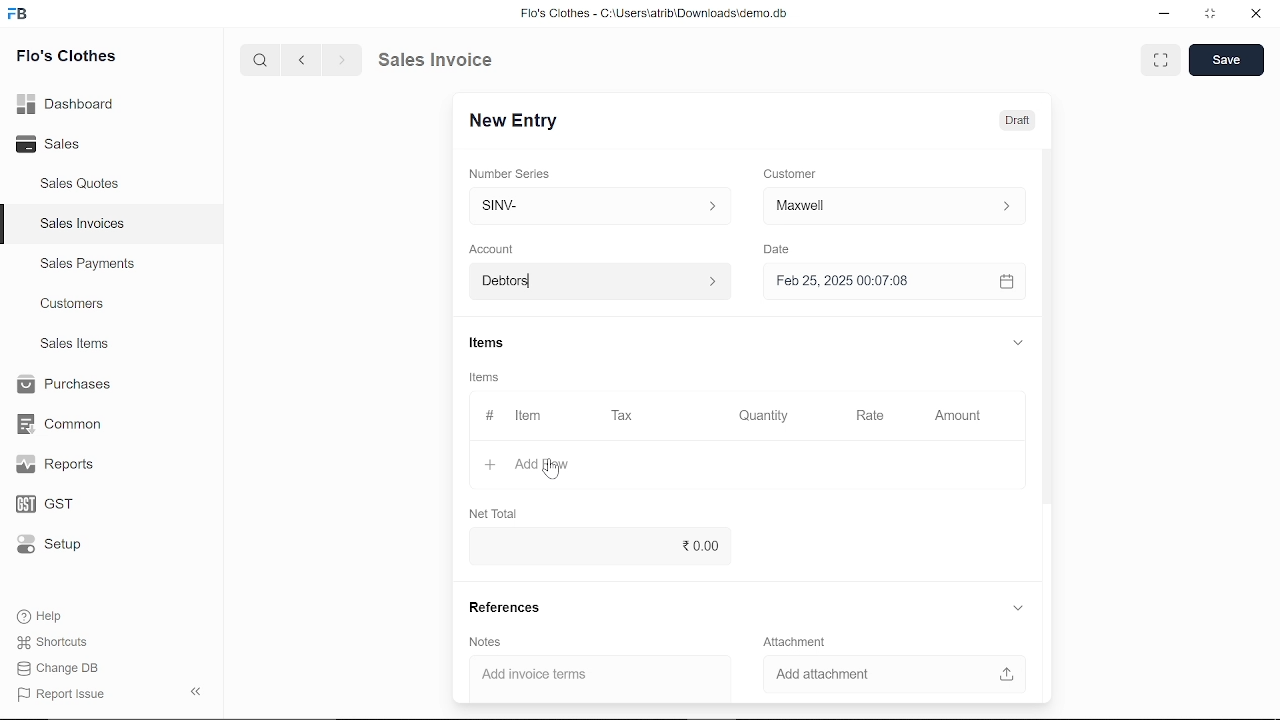 The height and width of the screenshot is (720, 1280). Describe the element at coordinates (491, 248) in the screenshot. I see `‘Account` at that location.